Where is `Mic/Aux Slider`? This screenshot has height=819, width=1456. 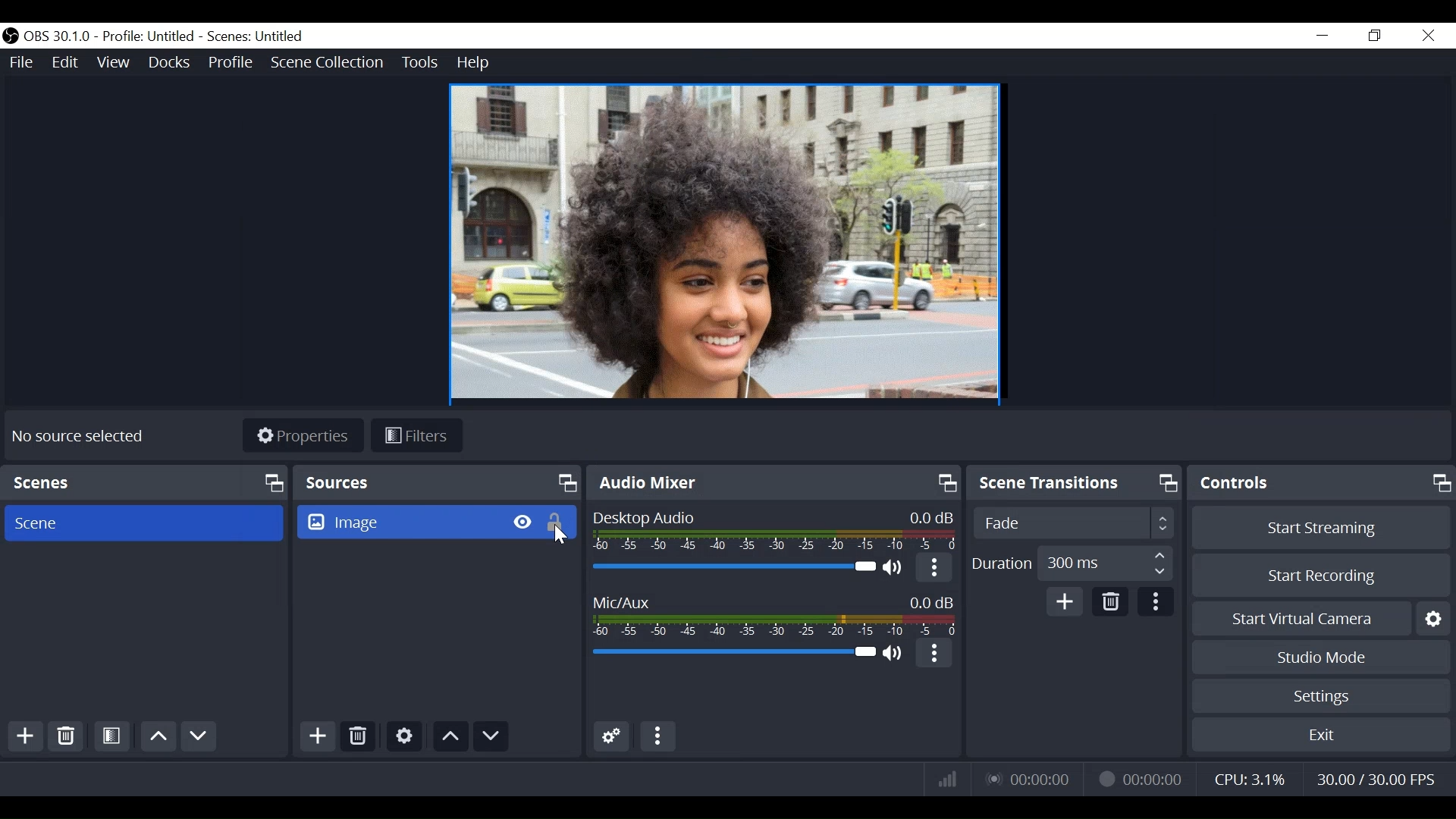
Mic/Aux Slider is located at coordinates (732, 653).